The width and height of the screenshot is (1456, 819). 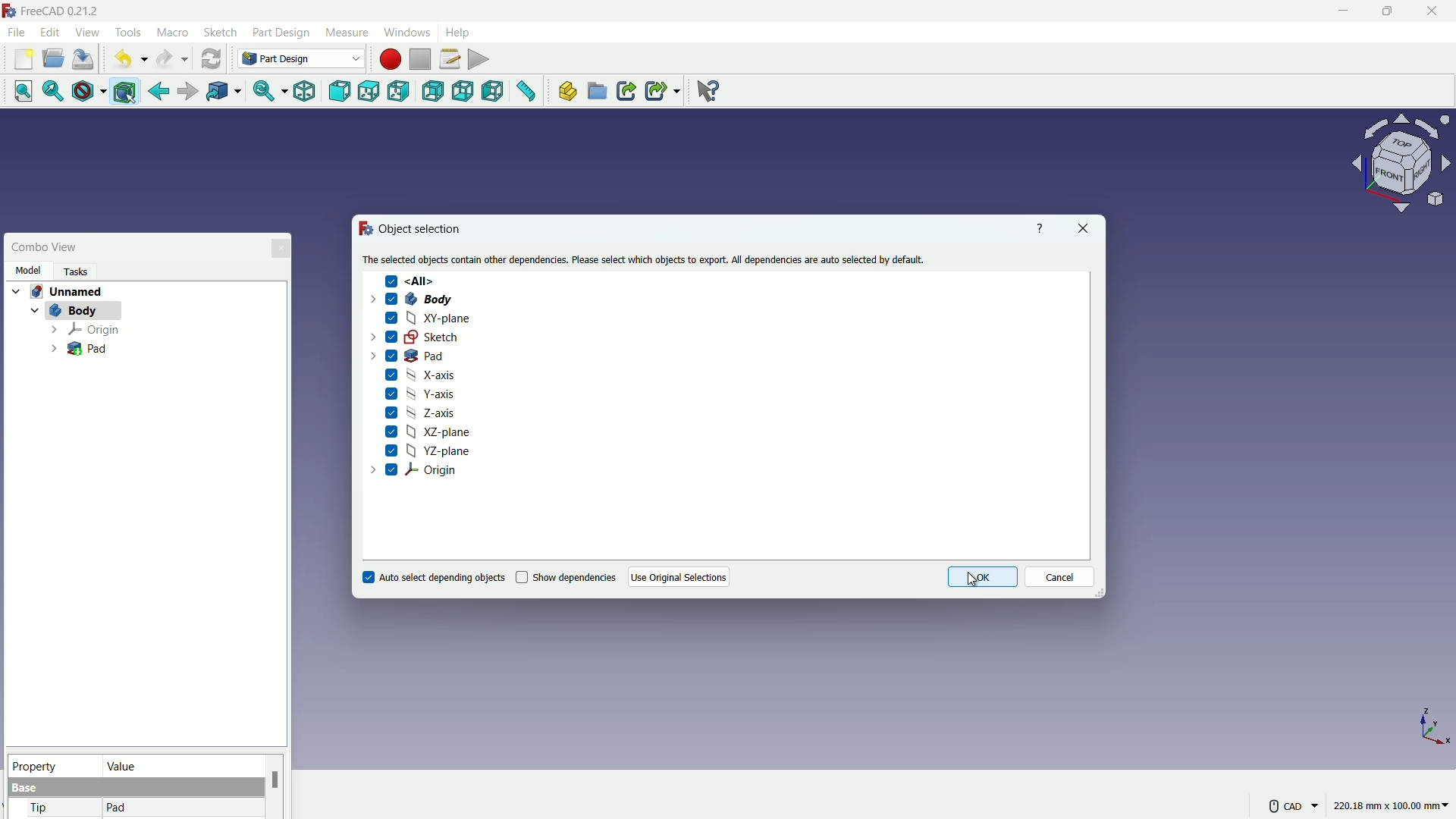 What do you see at coordinates (222, 93) in the screenshot?
I see `go to linked object` at bounding box center [222, 93].